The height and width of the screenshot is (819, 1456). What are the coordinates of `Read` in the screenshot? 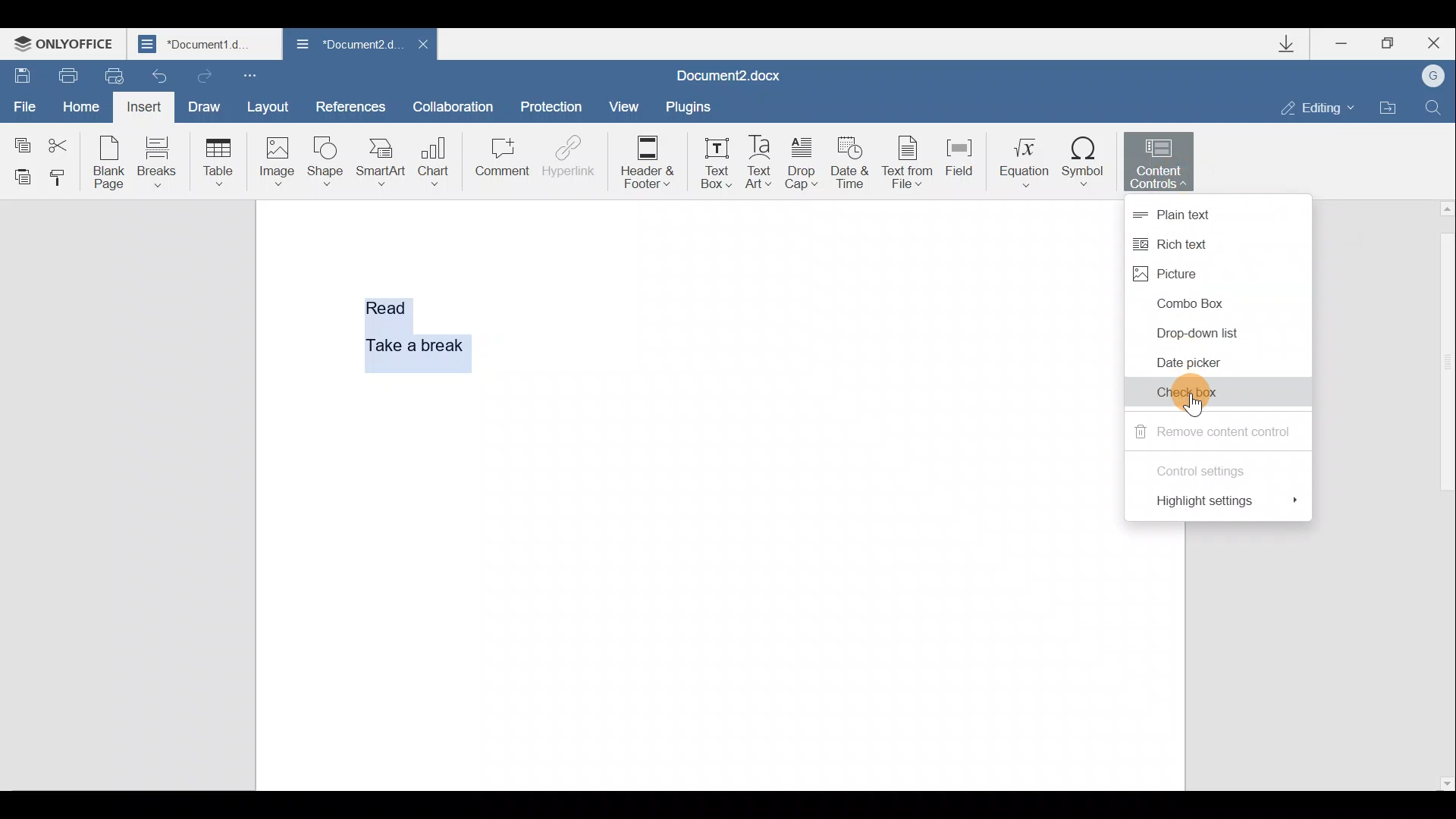 It's located at (388, 305).